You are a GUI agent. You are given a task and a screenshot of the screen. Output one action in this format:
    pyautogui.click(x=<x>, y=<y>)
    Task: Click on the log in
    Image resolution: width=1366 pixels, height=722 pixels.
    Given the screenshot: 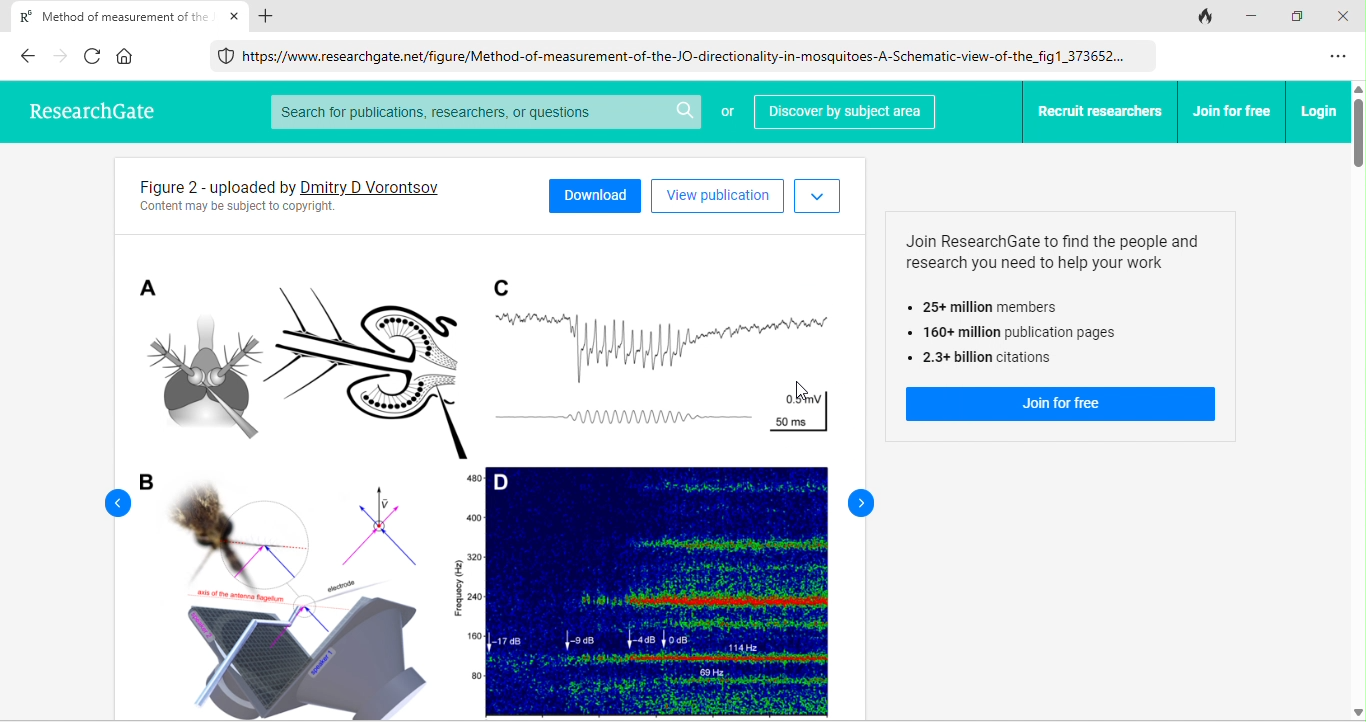 What is the action you would take?
    pyautogui.click(x=1319, y=111)
    